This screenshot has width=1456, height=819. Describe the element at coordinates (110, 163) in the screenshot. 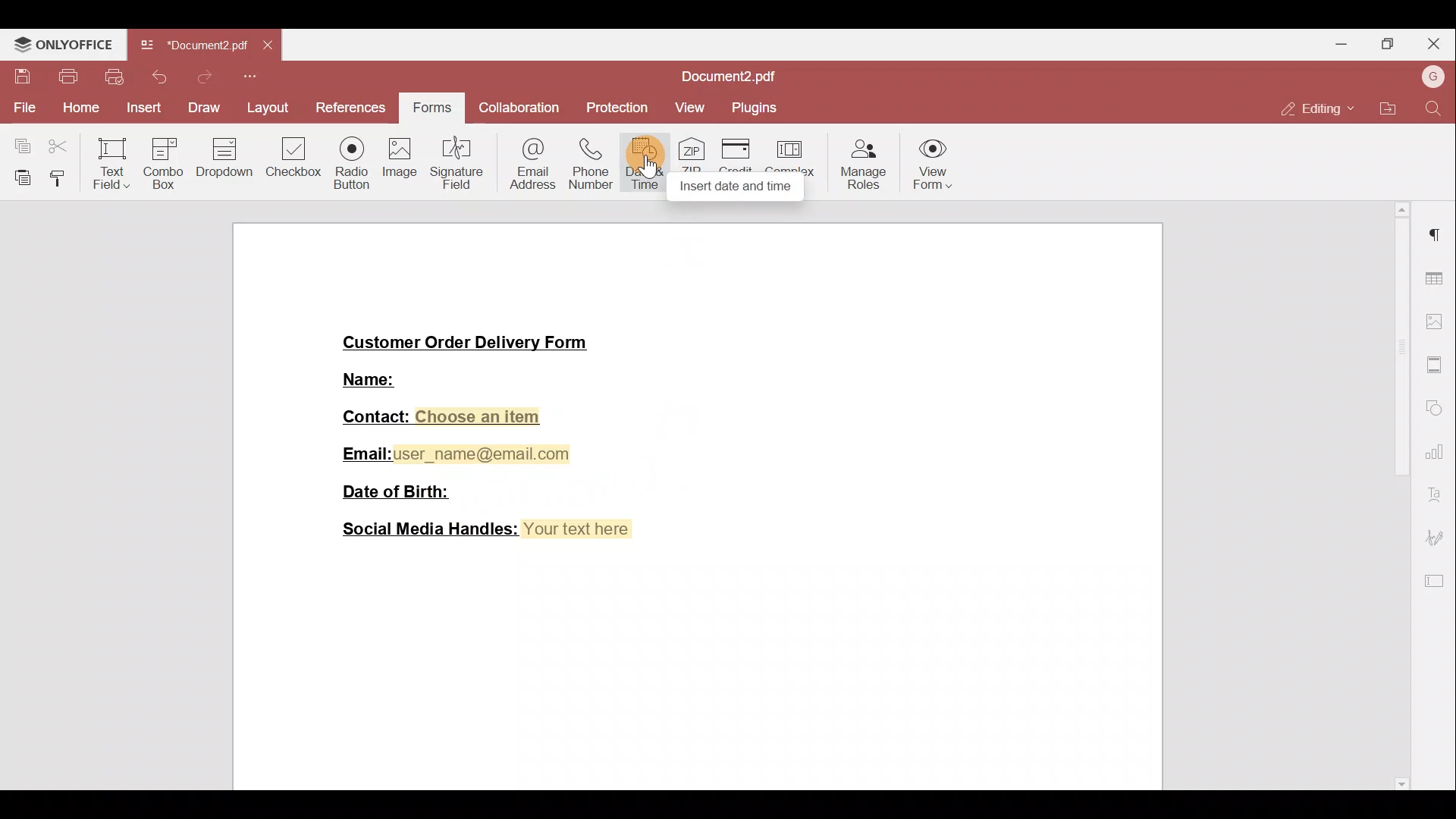

I see `Text field` at that location.